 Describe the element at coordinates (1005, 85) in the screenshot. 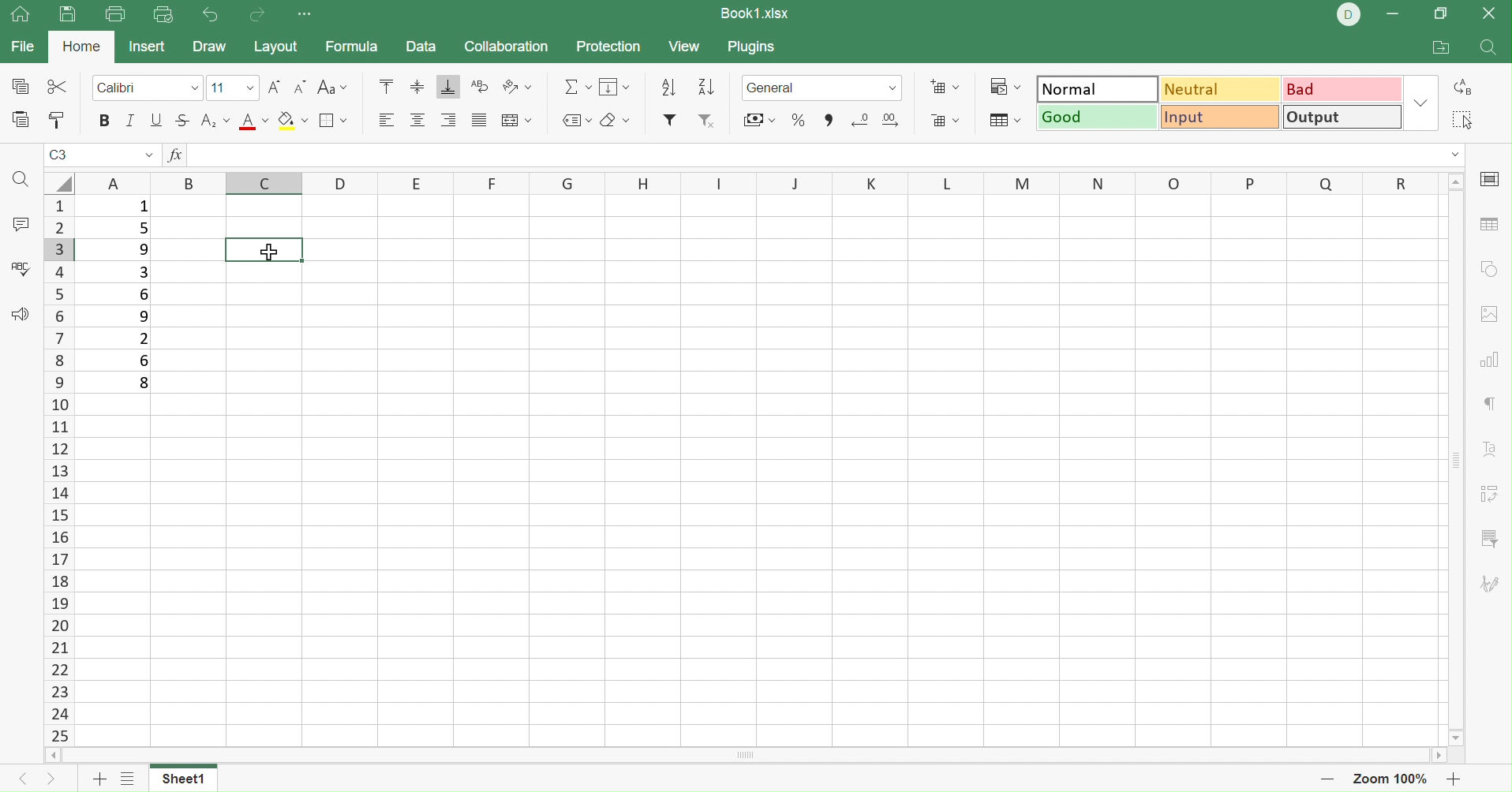

I see `Conditional formatting` at that location.